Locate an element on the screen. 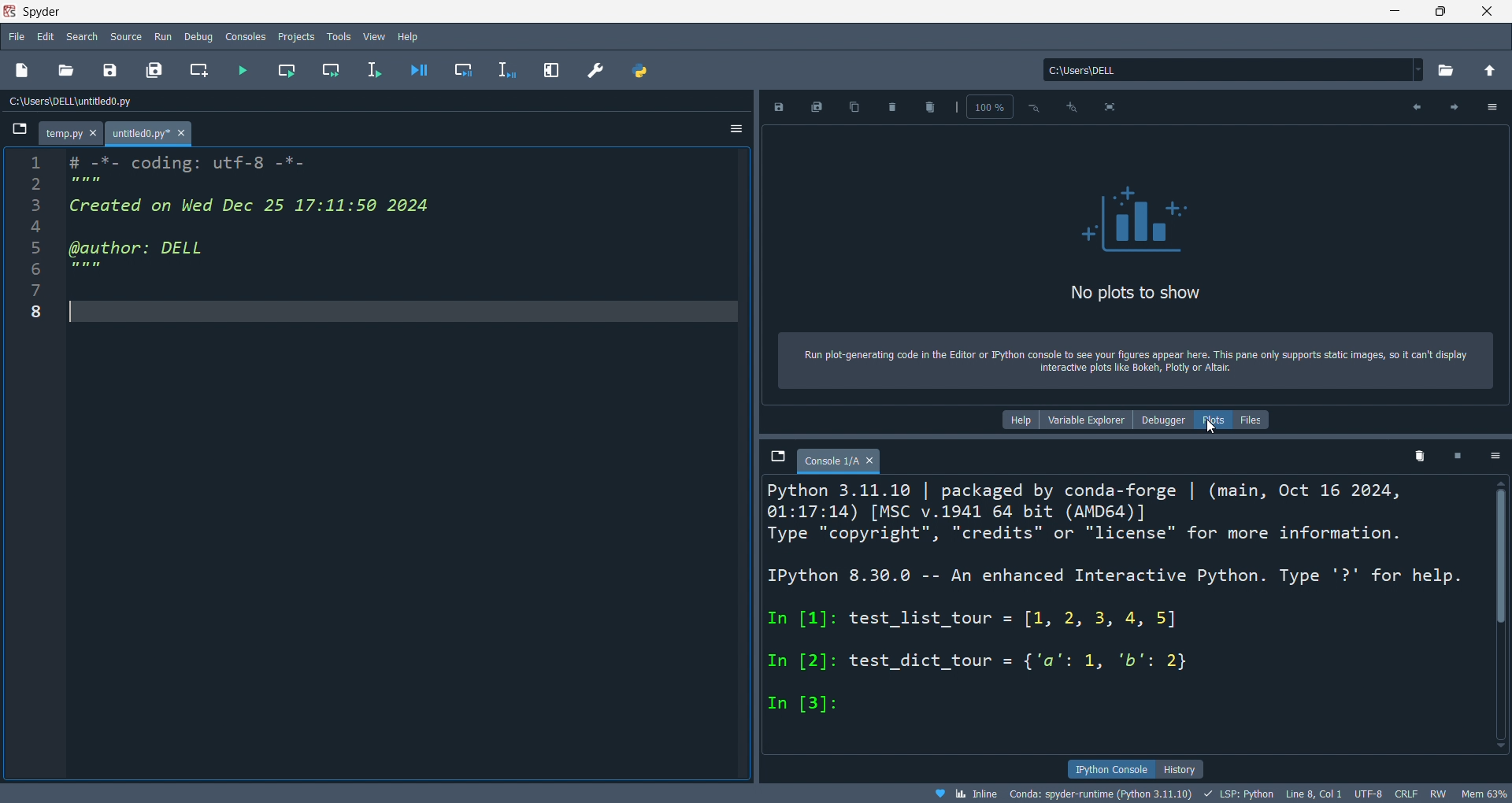  plots  is located at coordinates (1216, 420).